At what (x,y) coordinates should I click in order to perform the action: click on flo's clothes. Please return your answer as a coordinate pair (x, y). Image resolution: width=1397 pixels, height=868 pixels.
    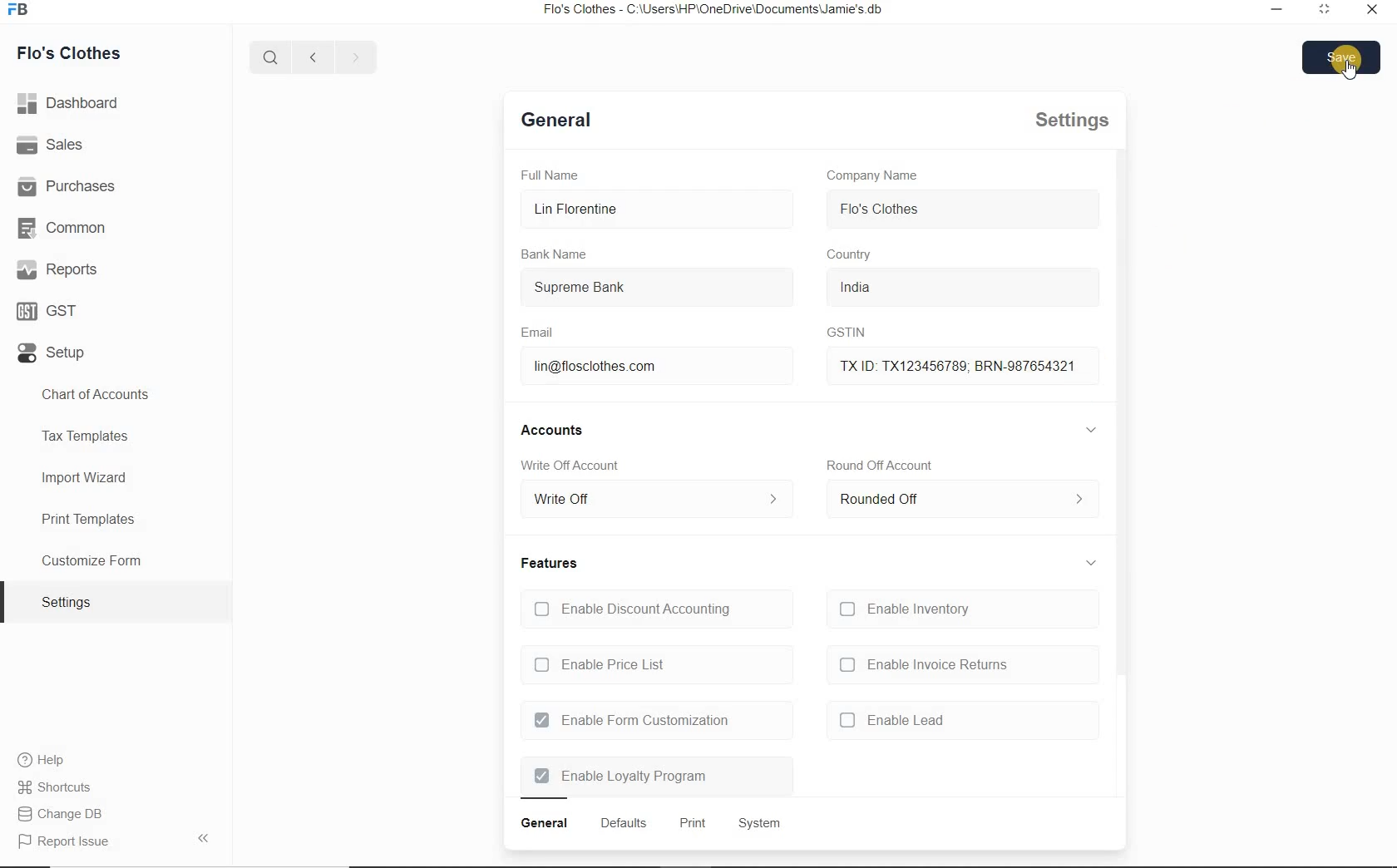
    Looking at the image, I should click on (881, 209).